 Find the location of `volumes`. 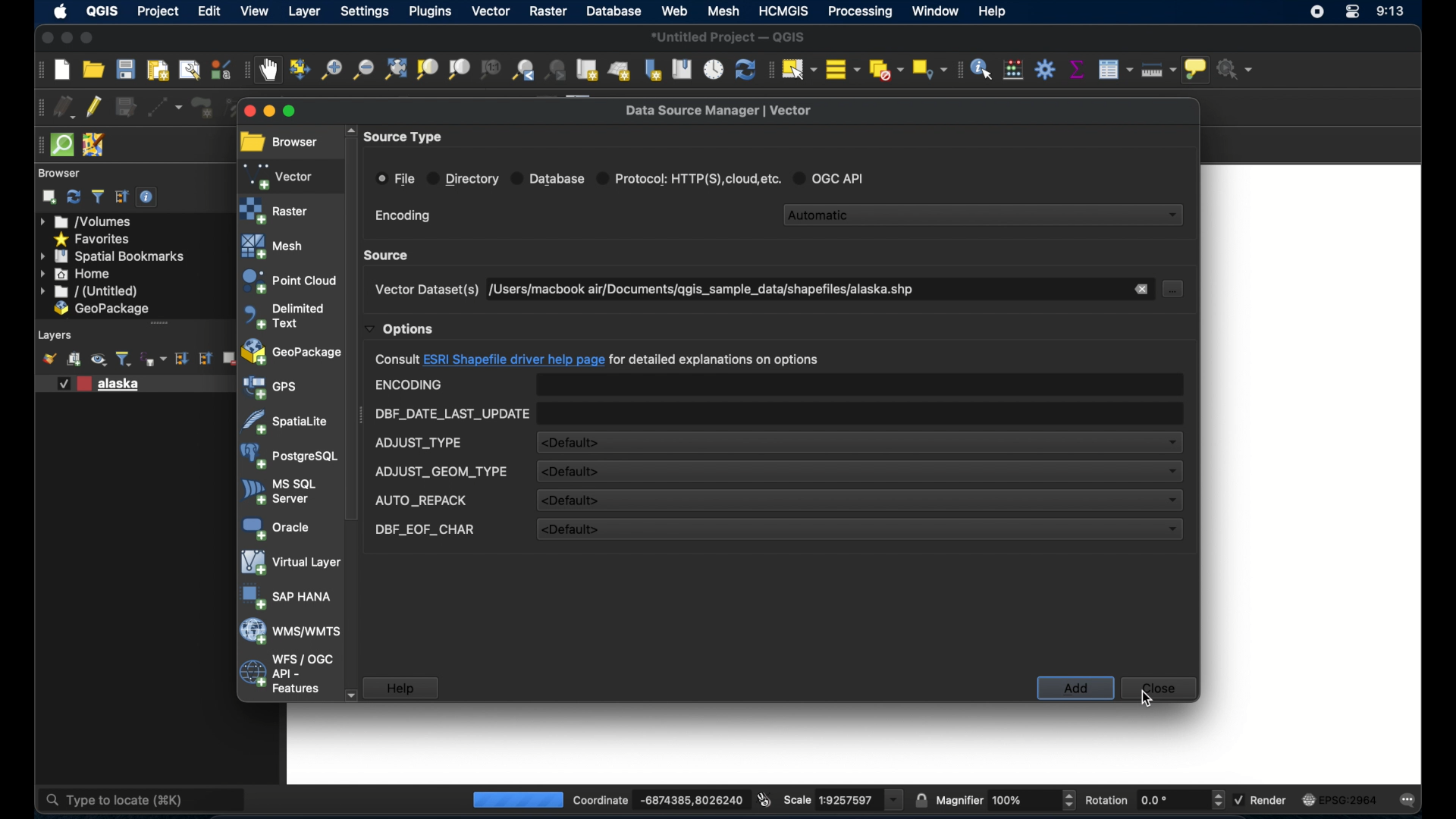

volumes is located at coordinates (93, 221).